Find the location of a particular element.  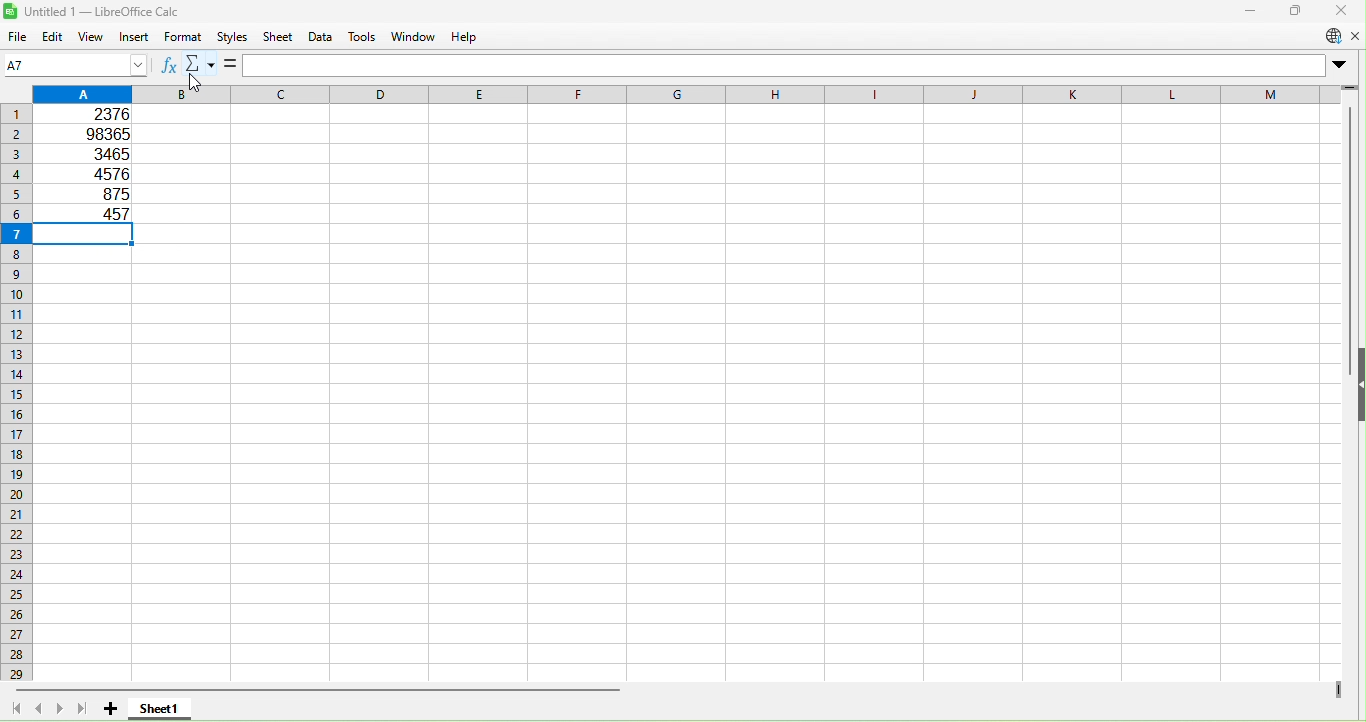

Rows is located at coordinates (17, 396).